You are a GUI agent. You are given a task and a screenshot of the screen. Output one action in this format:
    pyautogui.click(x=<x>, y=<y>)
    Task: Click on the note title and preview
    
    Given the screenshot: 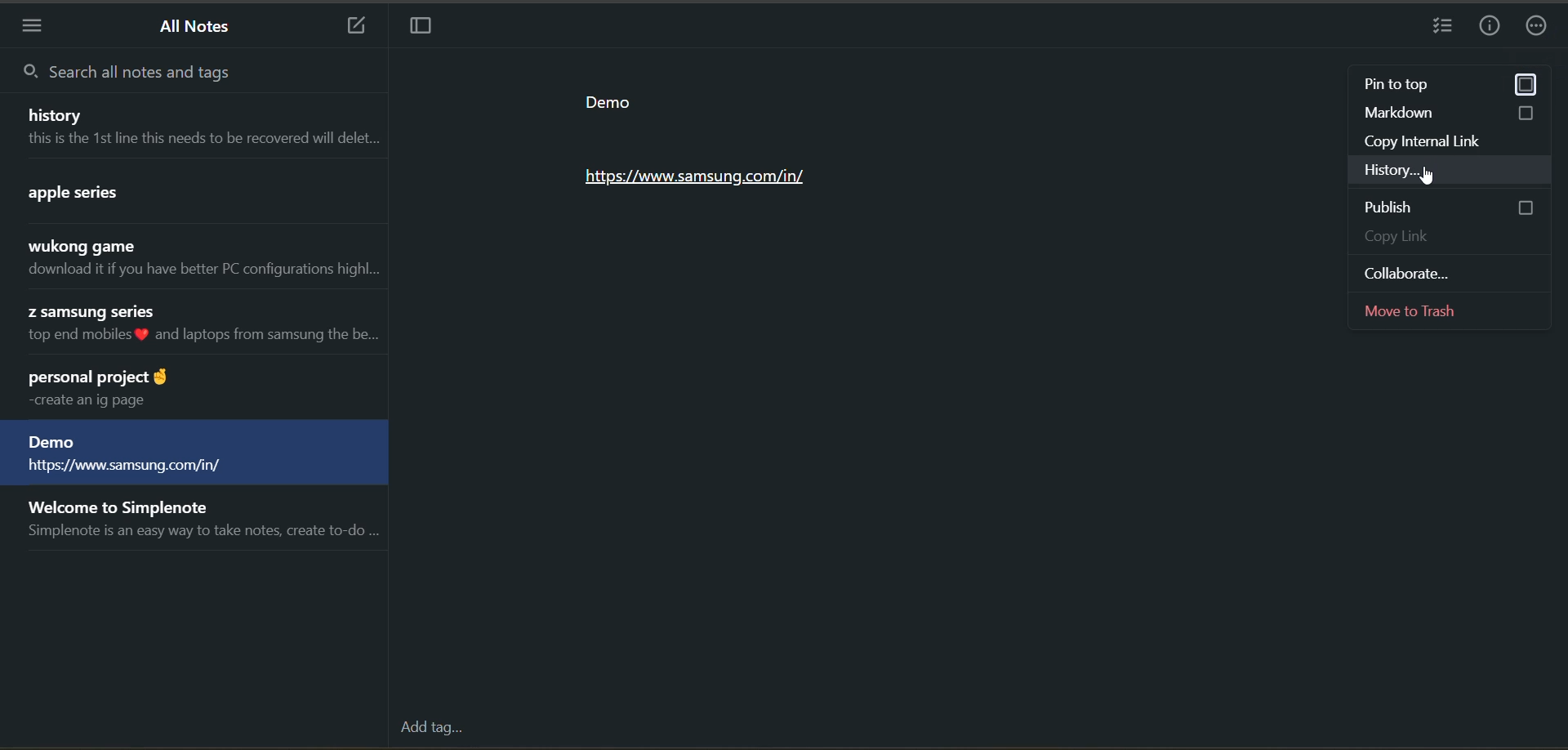 What is the action you would take?
    pyautogui.click(x=201, y=523)
    